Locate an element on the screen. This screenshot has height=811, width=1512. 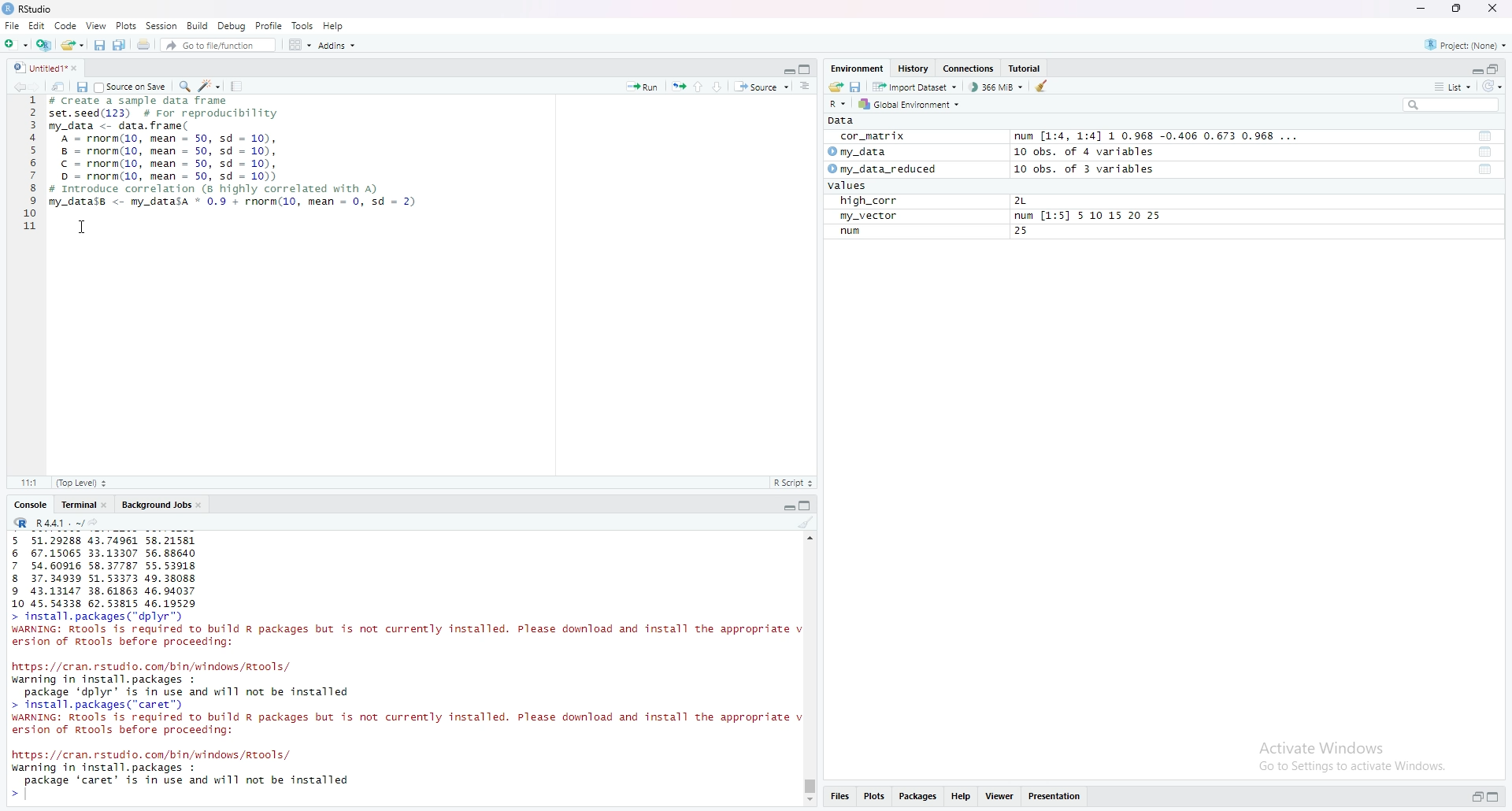
Help is located at coordinates (335, 26).